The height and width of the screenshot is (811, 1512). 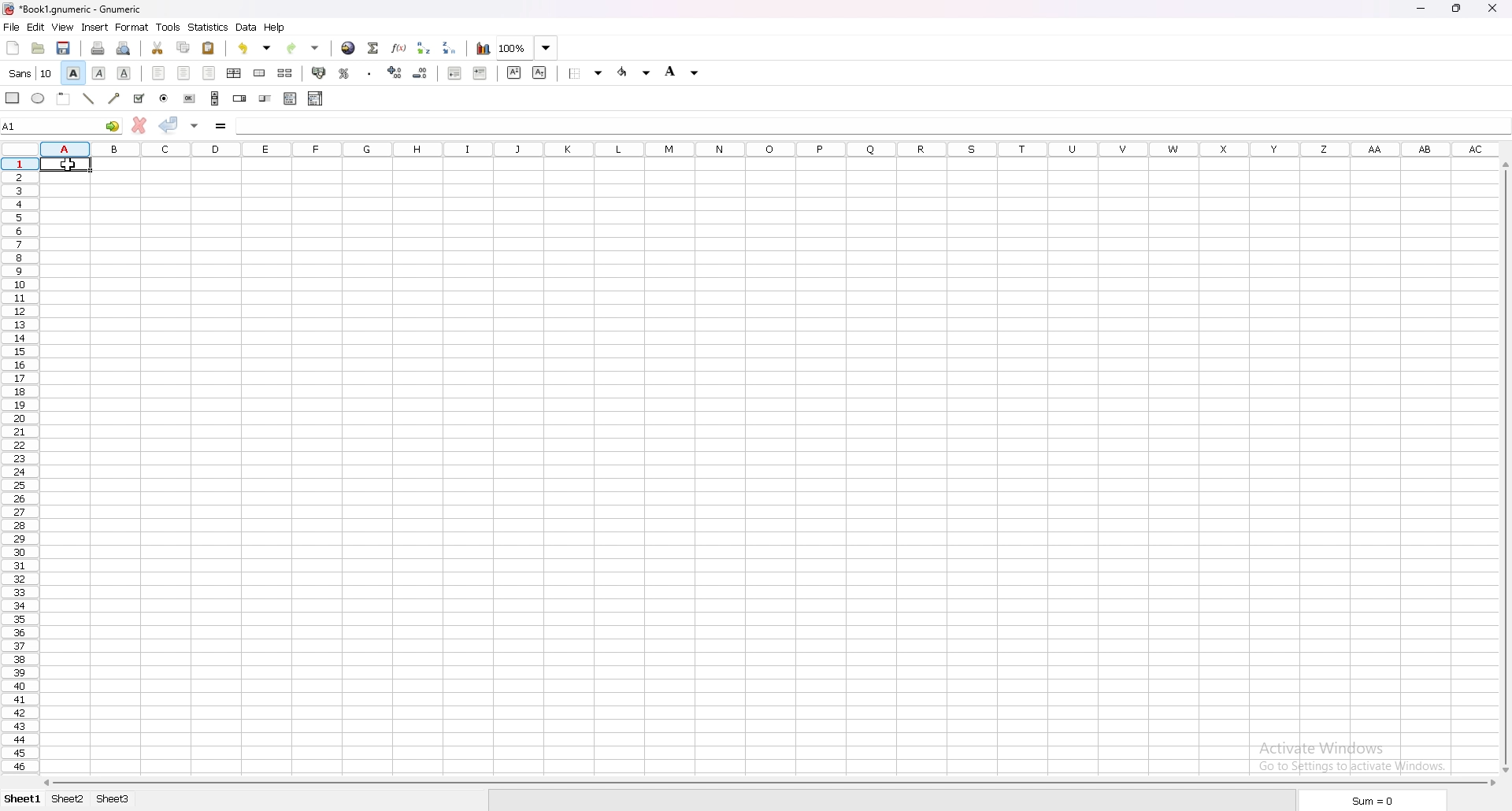 I want to click on accept change, so click(x=169, y=125).